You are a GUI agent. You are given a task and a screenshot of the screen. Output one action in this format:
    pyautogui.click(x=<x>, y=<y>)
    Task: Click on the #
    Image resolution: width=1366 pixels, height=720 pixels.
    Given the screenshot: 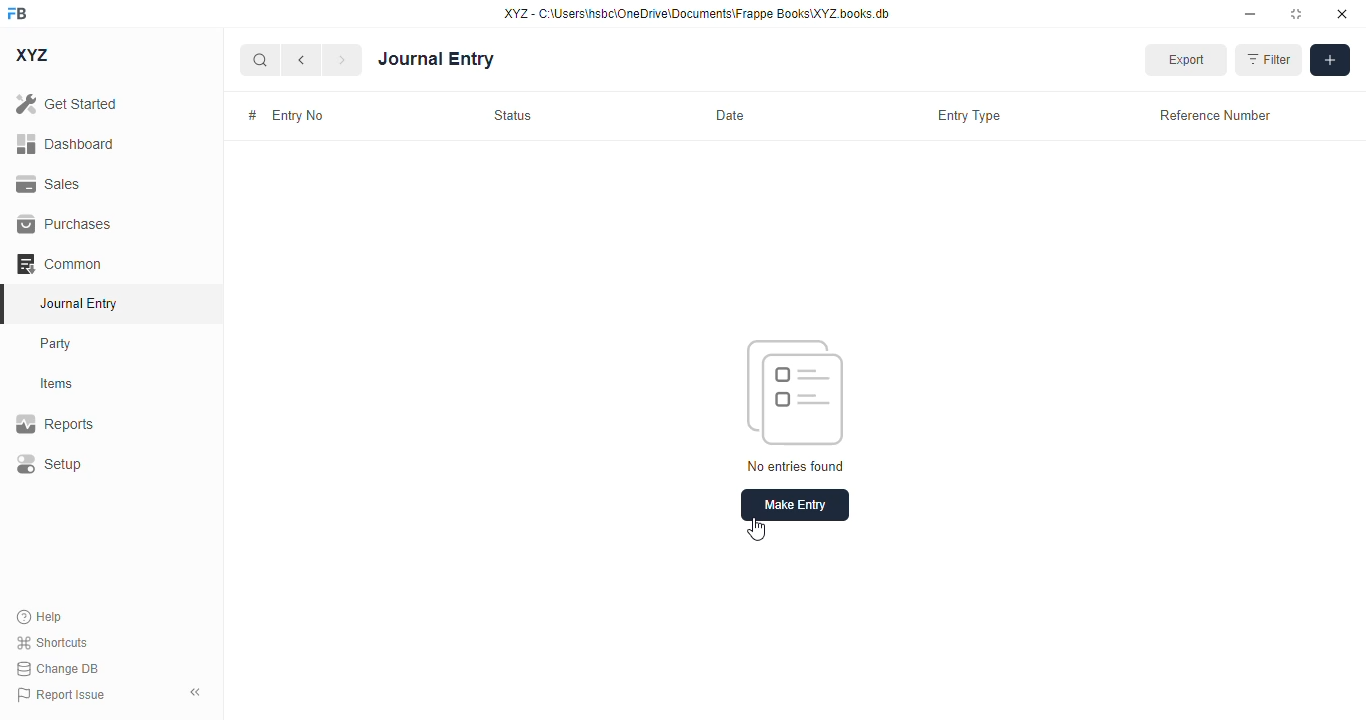 What is the action you would take?
    pyautogui.click(x=253, y=114)
    